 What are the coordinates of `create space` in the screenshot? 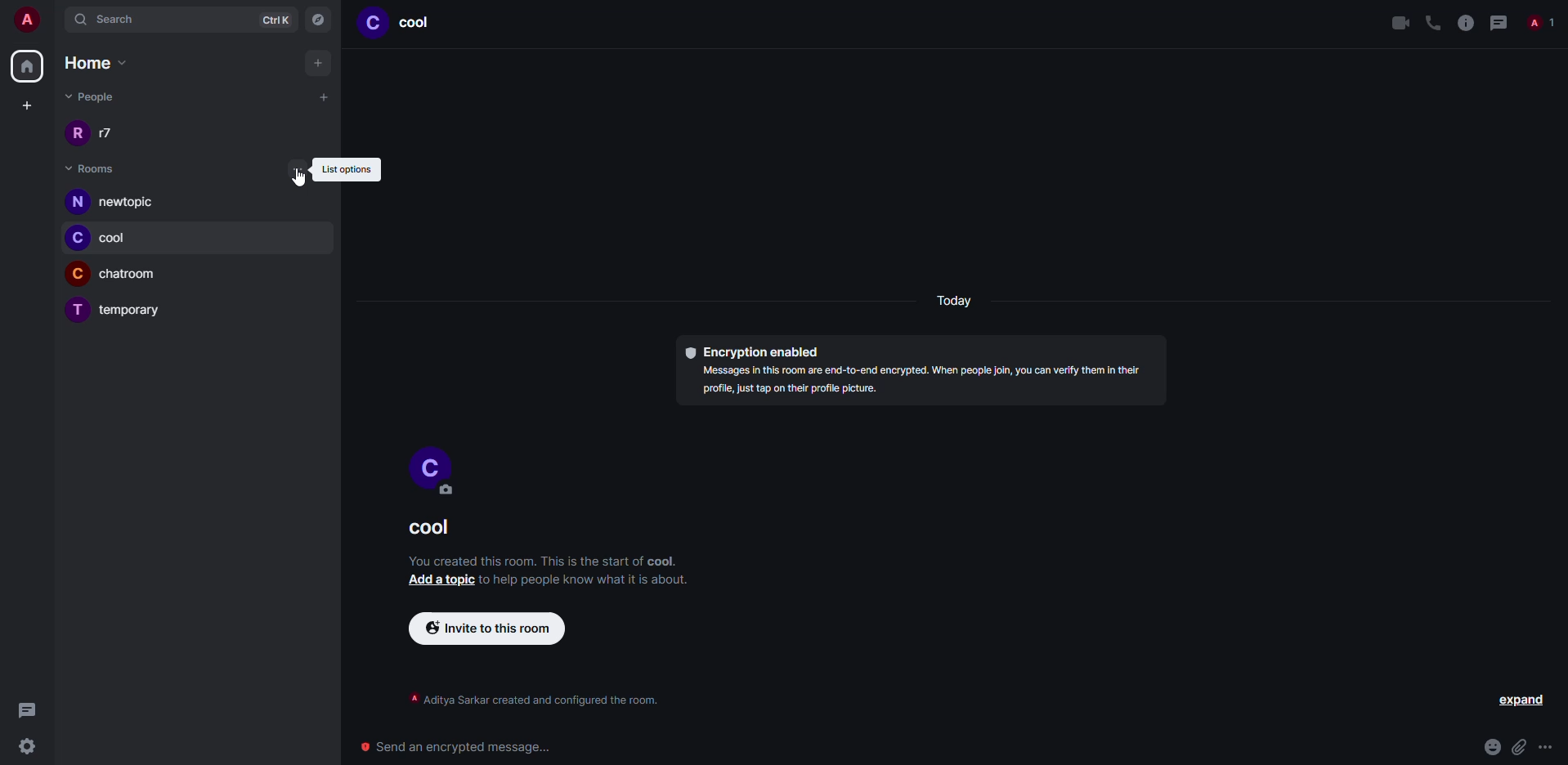 It's located at (23, 105).